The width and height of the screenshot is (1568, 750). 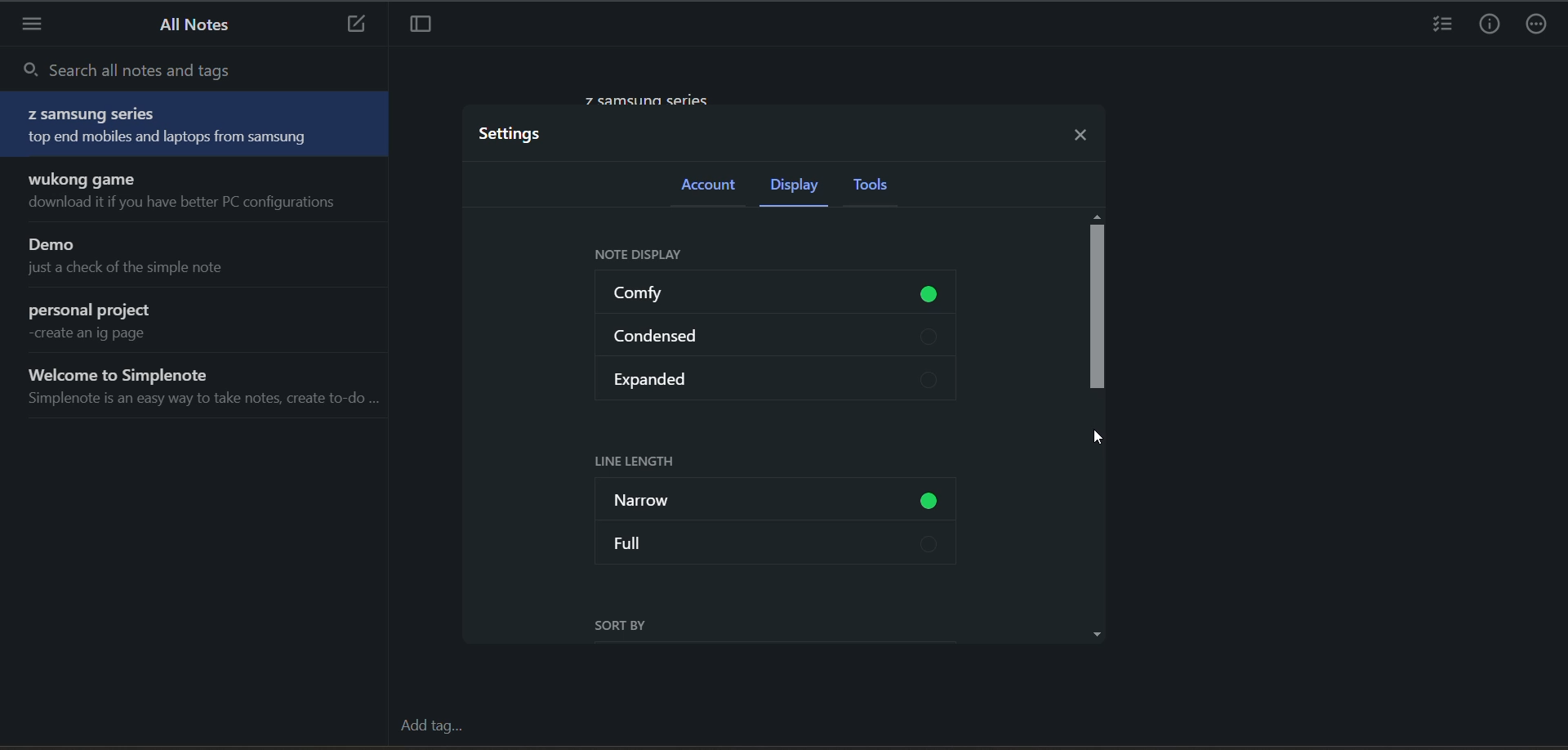 What do you see at coordinates (774, 542) in the screenshot?
I see `full` at bounding box center [774, 542].